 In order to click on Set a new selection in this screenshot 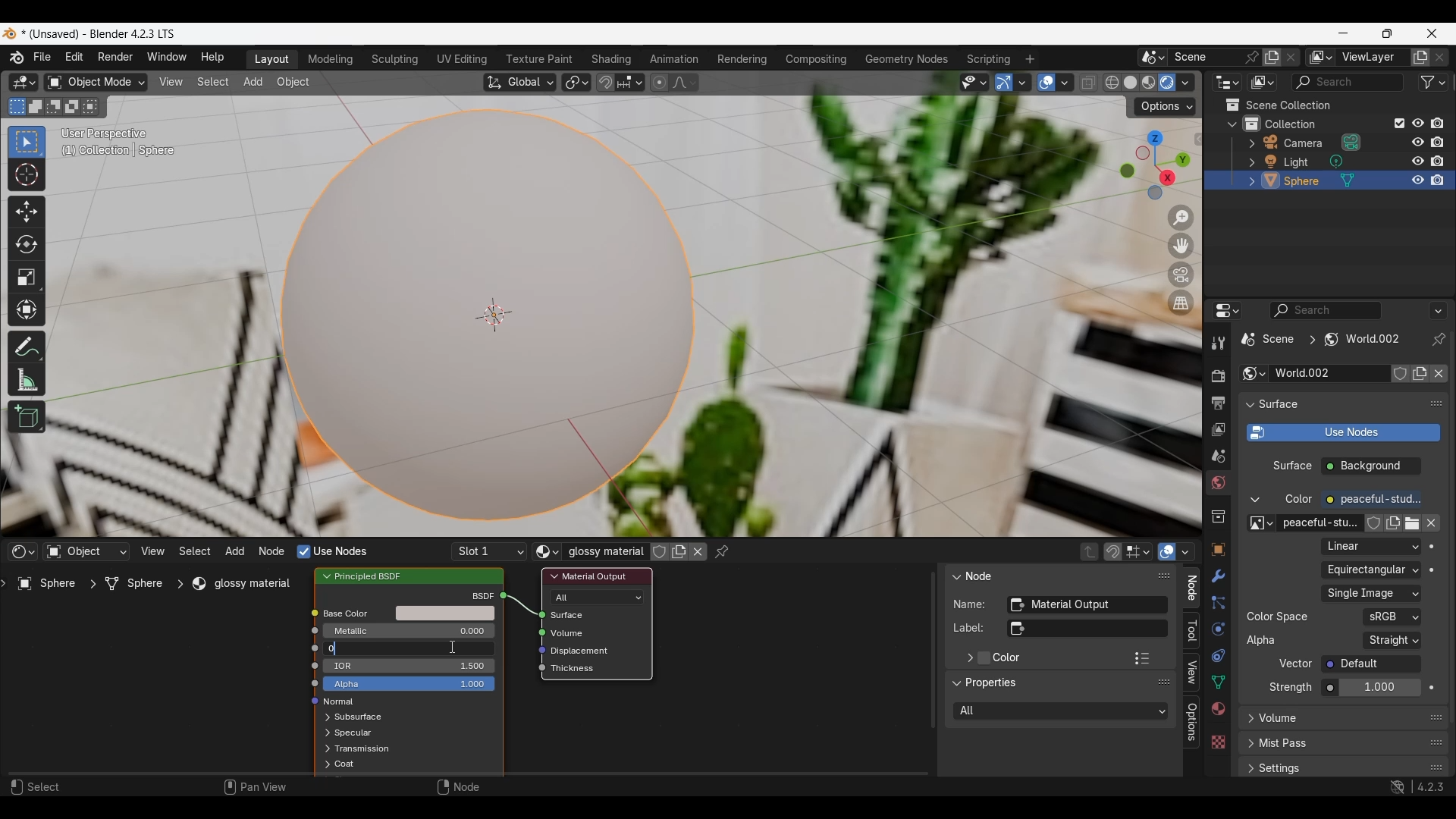, I will do `click(17, 107)`.